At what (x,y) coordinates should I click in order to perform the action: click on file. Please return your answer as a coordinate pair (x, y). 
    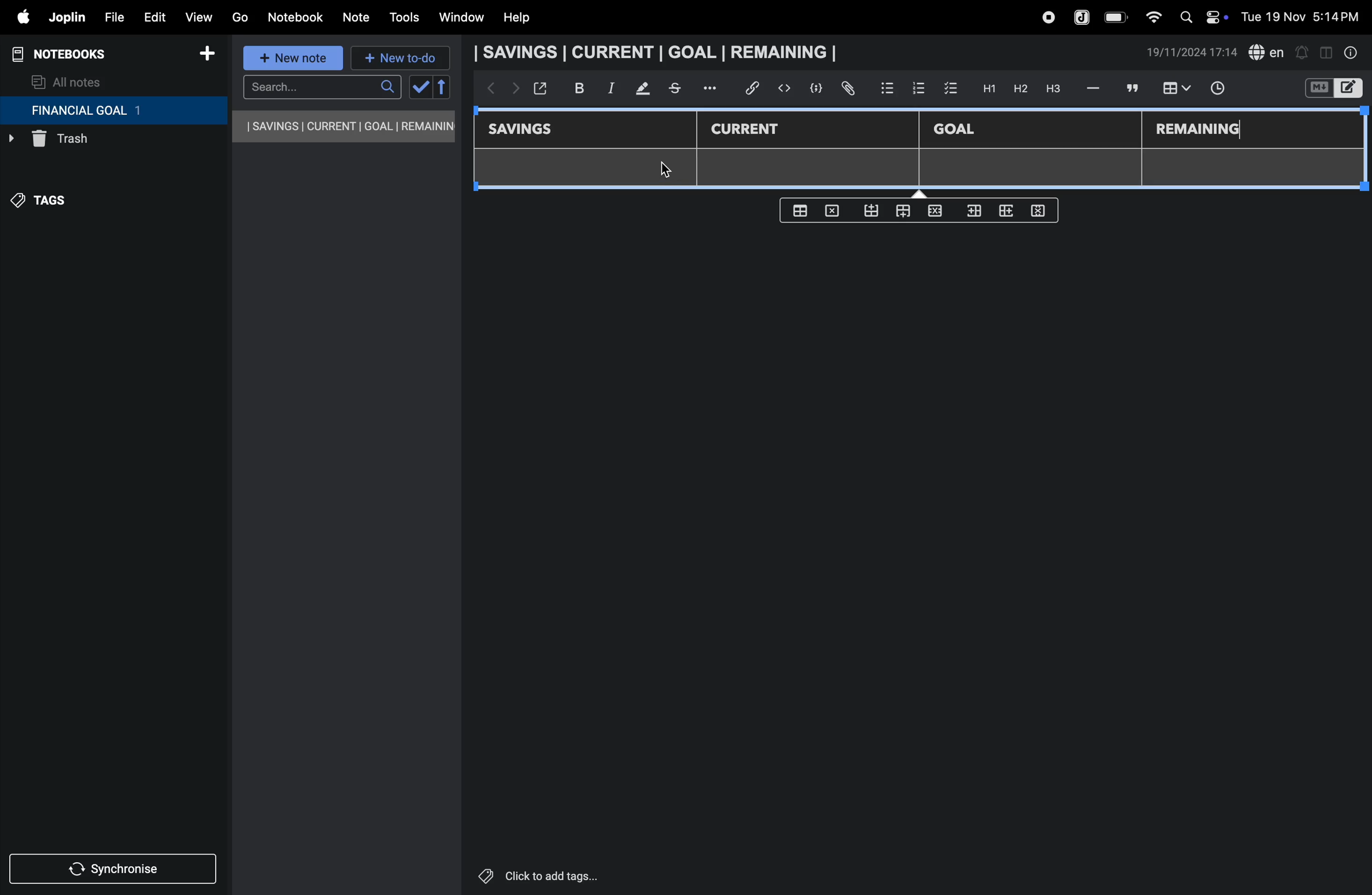
    Looking at the image, I should click on (110, 16).